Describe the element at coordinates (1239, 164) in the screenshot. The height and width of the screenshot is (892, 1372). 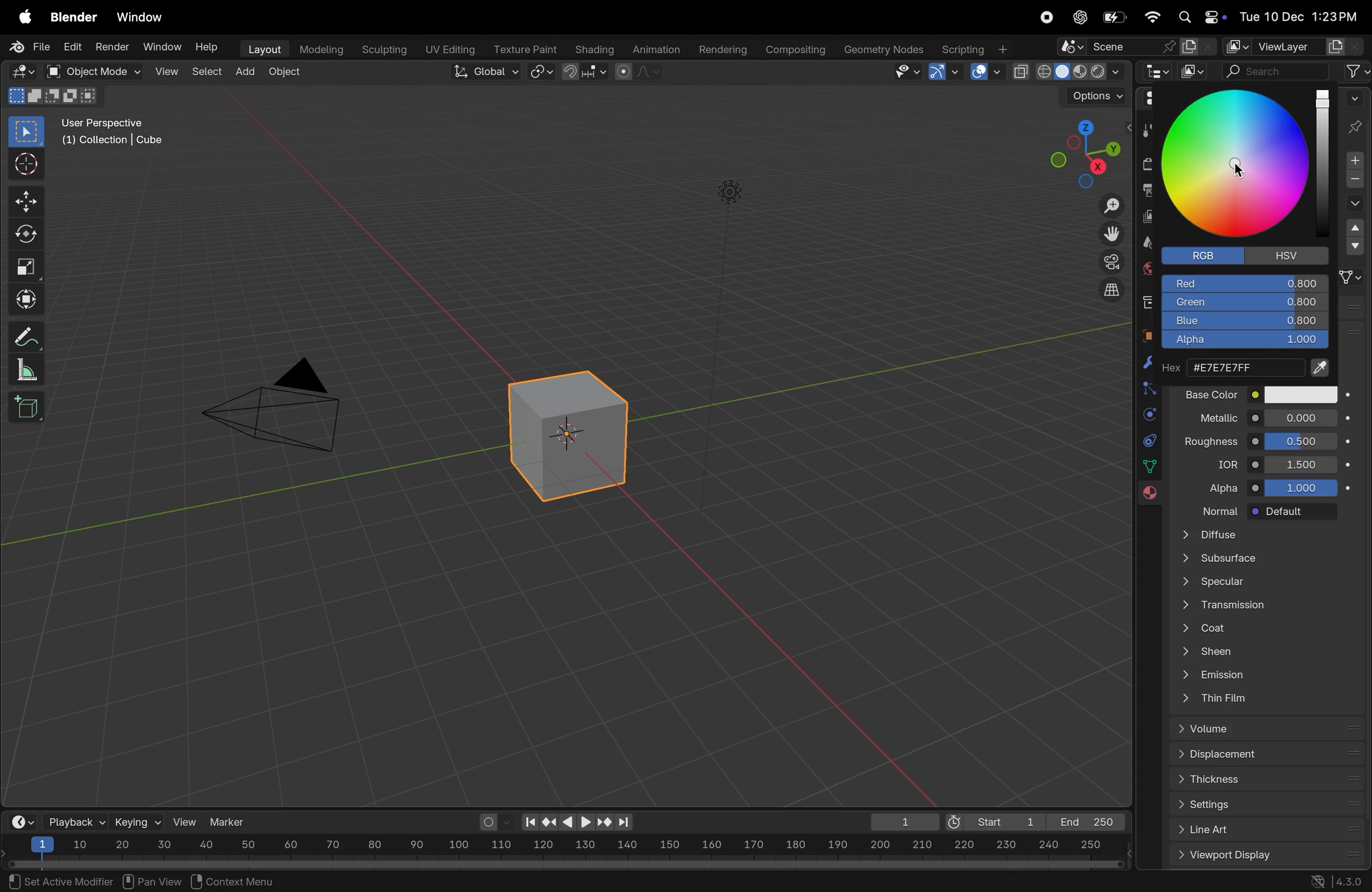
I see `cursor` at that location.